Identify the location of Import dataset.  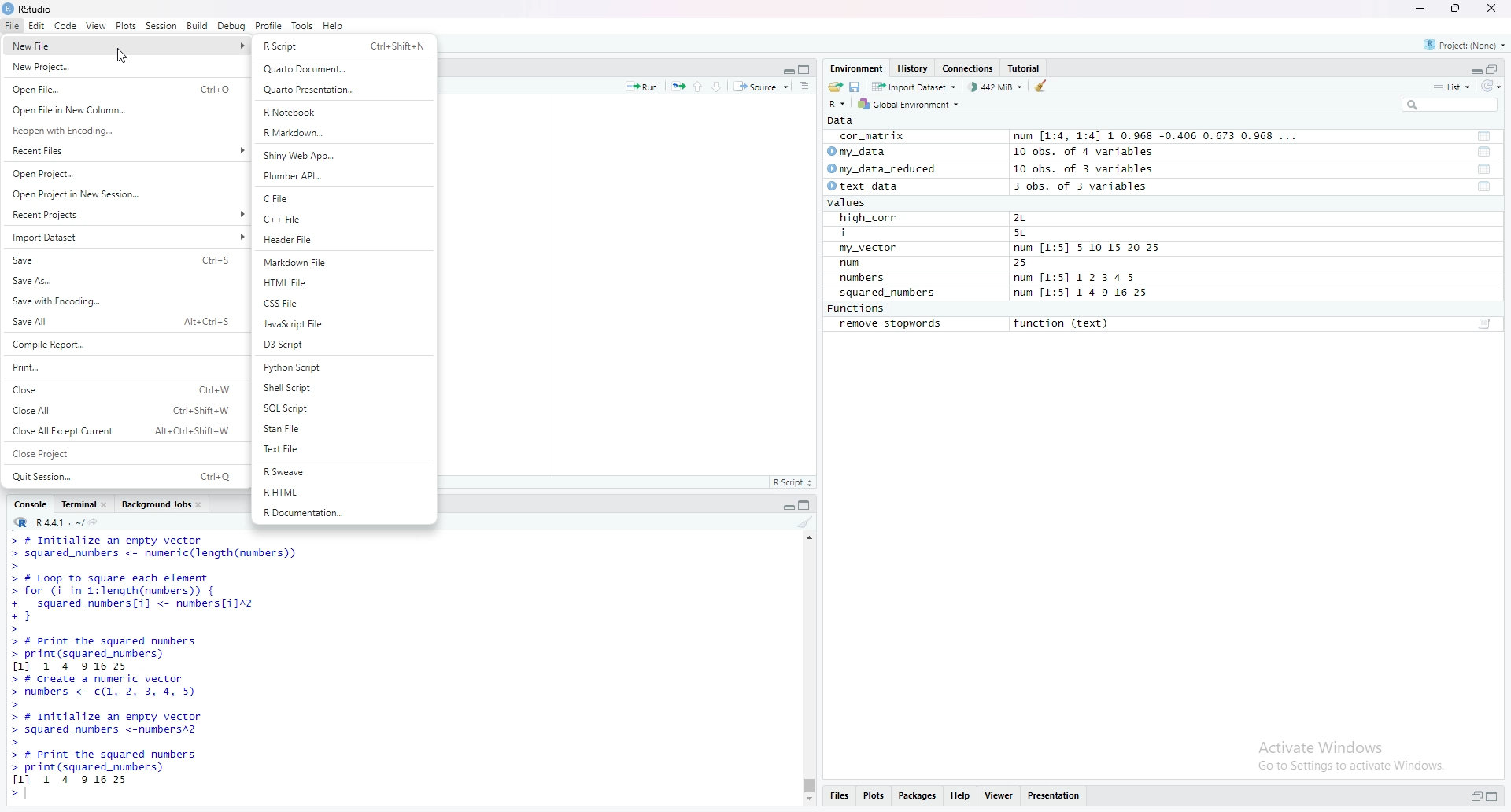
(915, 87).